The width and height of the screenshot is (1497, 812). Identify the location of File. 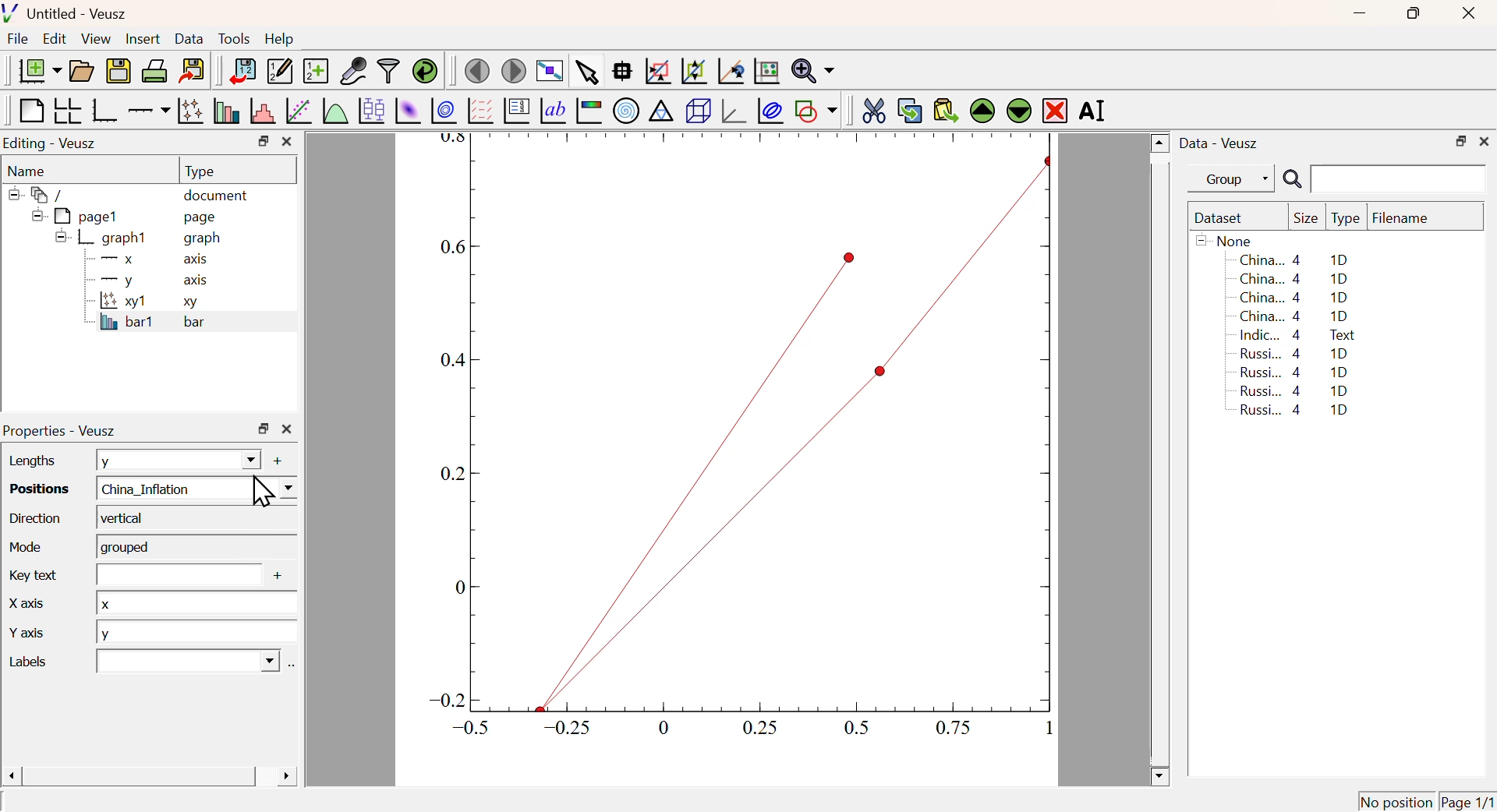
(18, 39).